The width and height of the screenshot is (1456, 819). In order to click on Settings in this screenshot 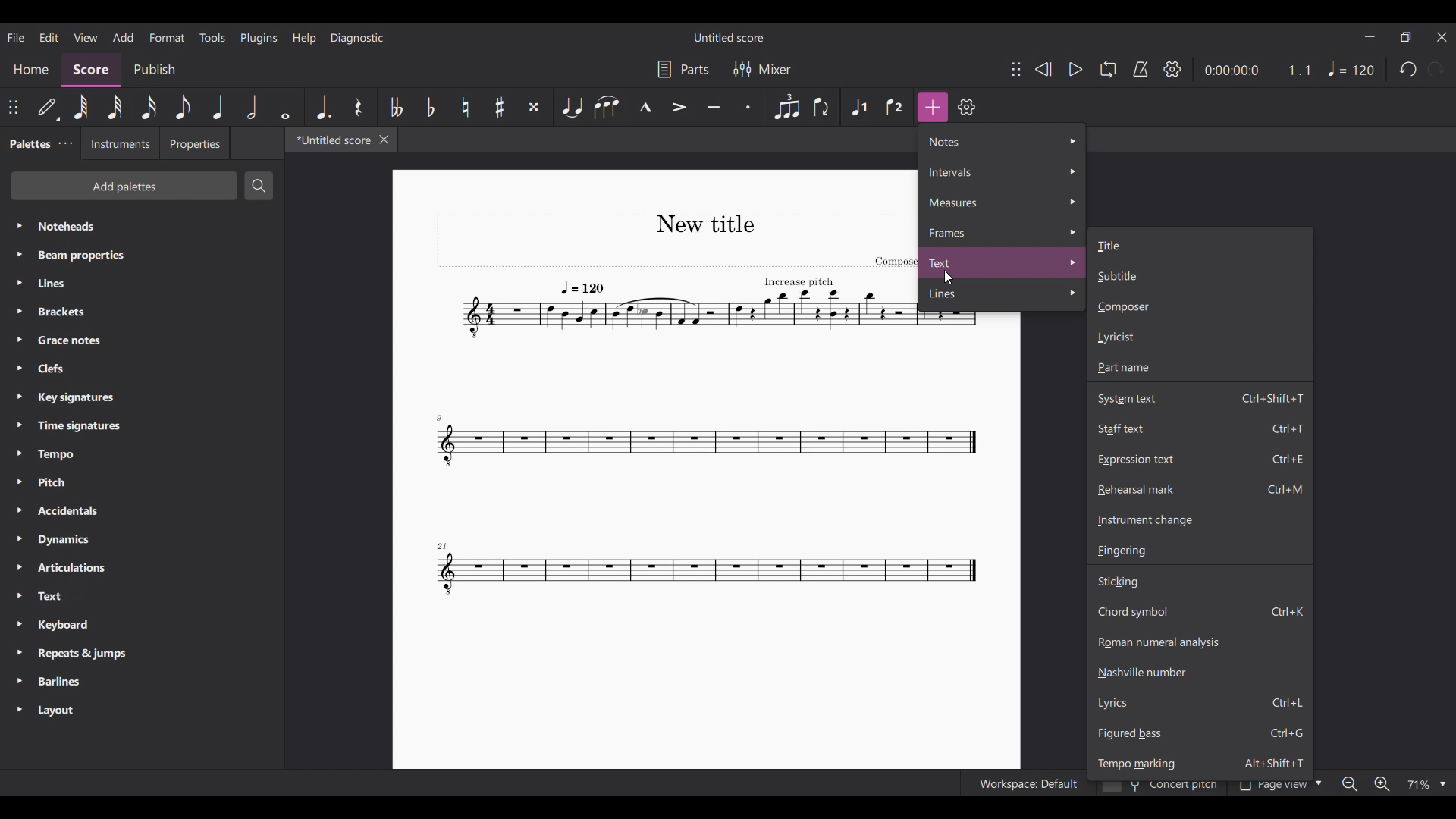, I will do `click(1172, 69)`.